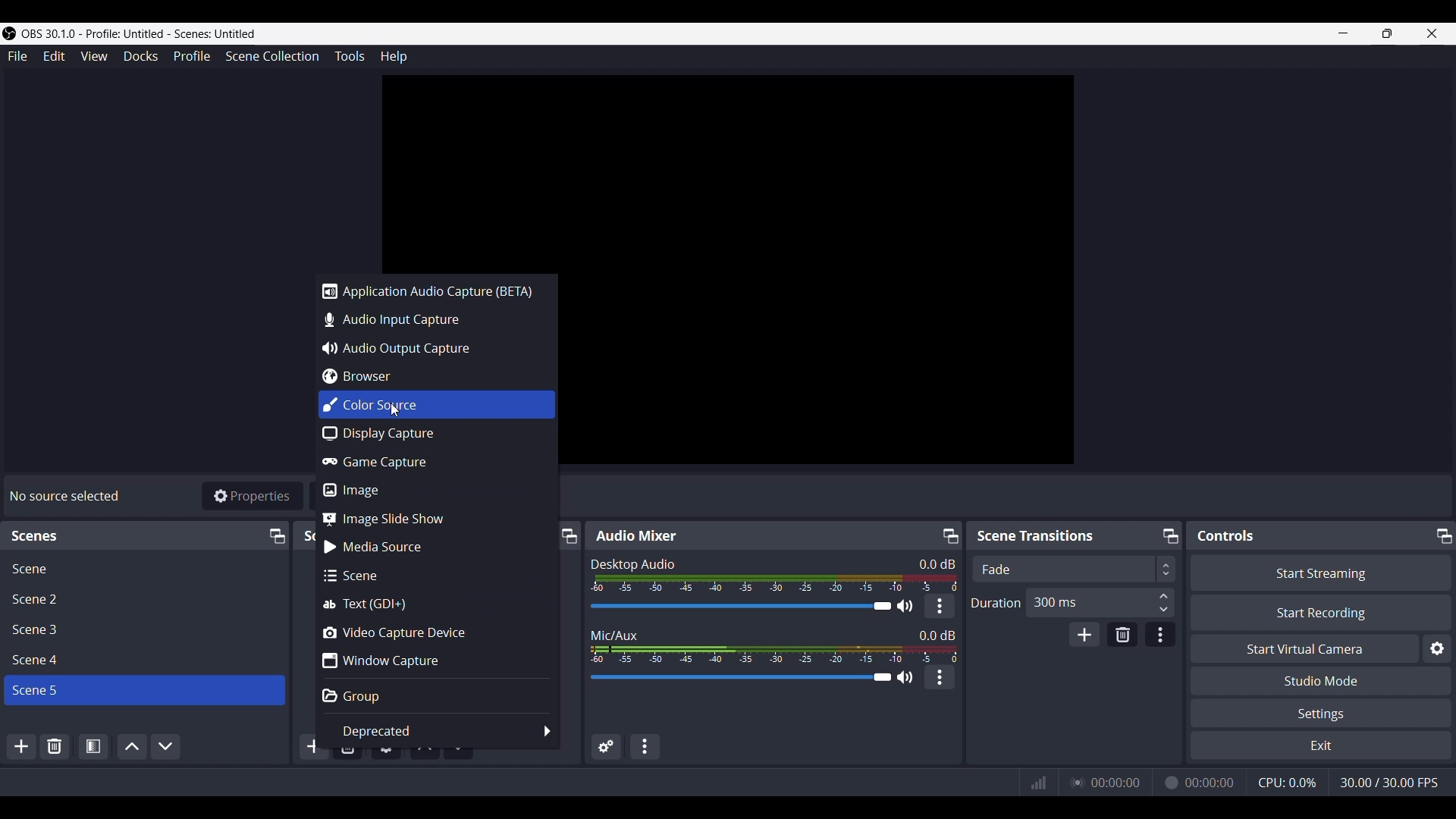 Image resolution: width=1456 pixels, height=819 pixels. What do you see at coordinates (141, 630) in the screenshot?
I see `Scene File` at bounding box center [141, 630].